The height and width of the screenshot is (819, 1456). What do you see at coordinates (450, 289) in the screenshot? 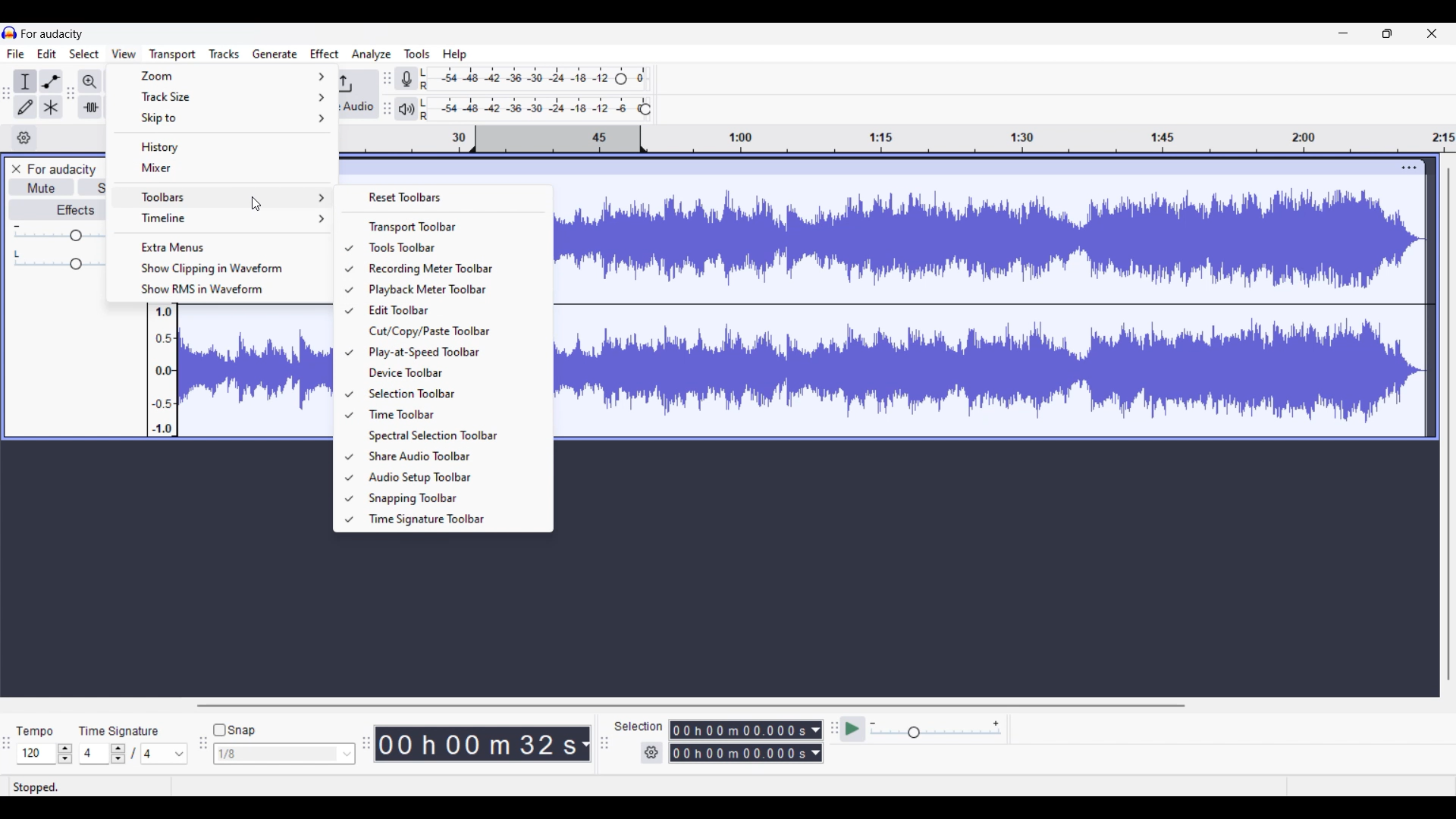
I see `Playback meter toolbar` at bounding box center [450, 289].